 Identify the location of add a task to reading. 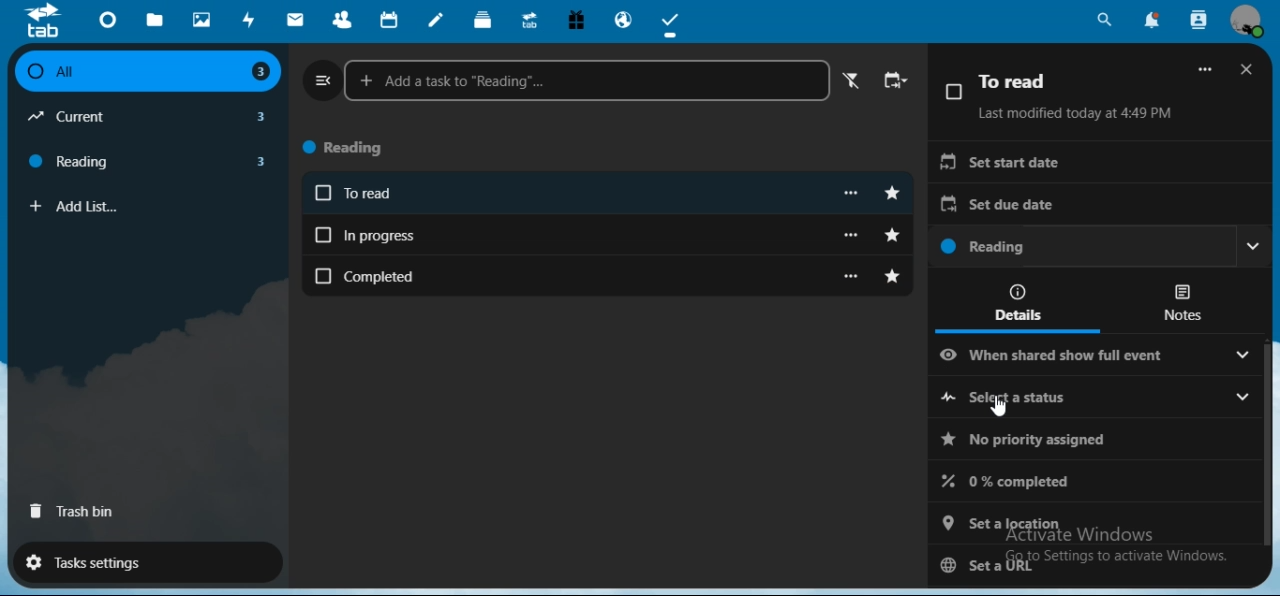
(588, 81).